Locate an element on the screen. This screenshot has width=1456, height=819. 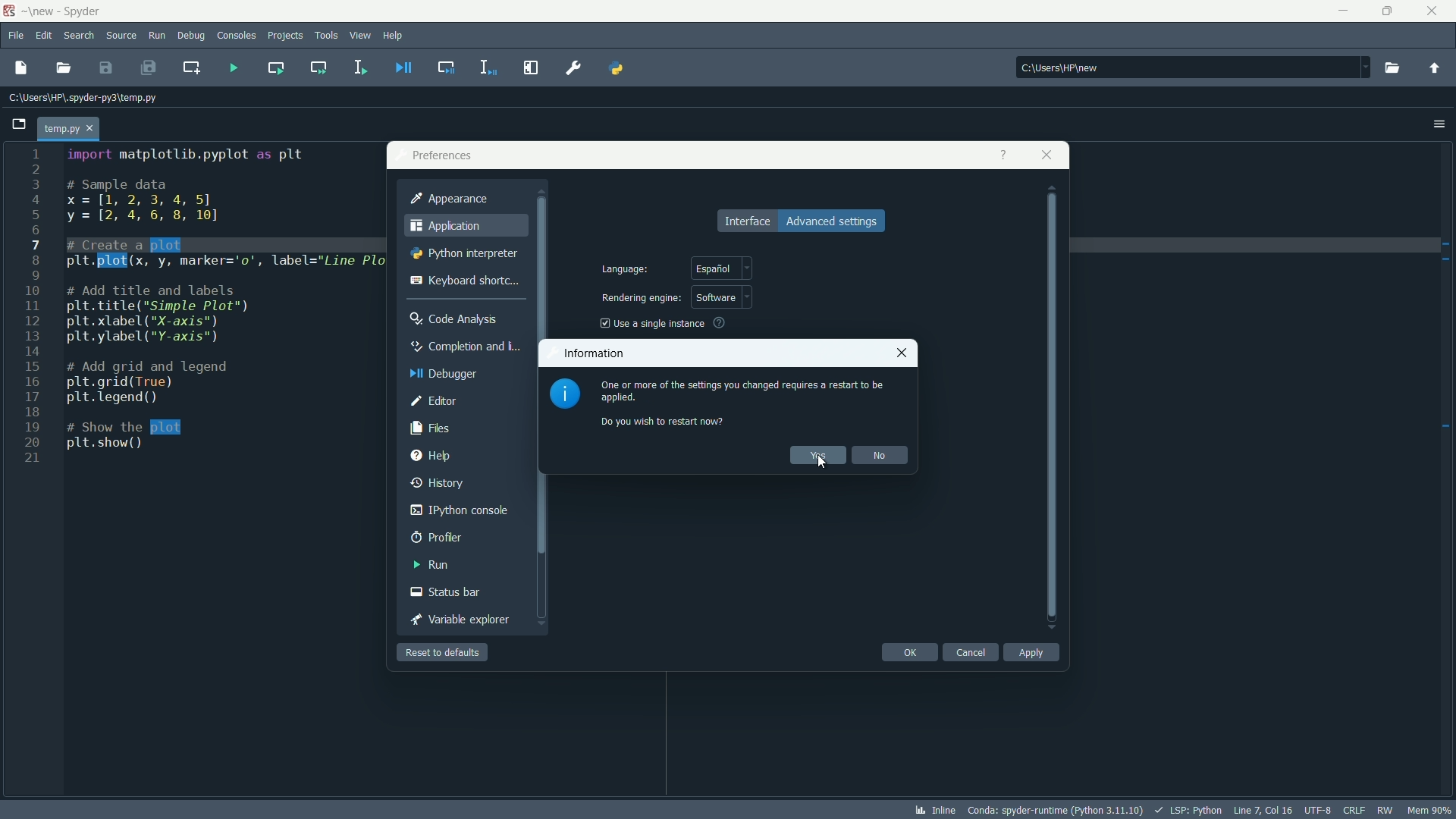
run file is located at coordinates (234, 67).